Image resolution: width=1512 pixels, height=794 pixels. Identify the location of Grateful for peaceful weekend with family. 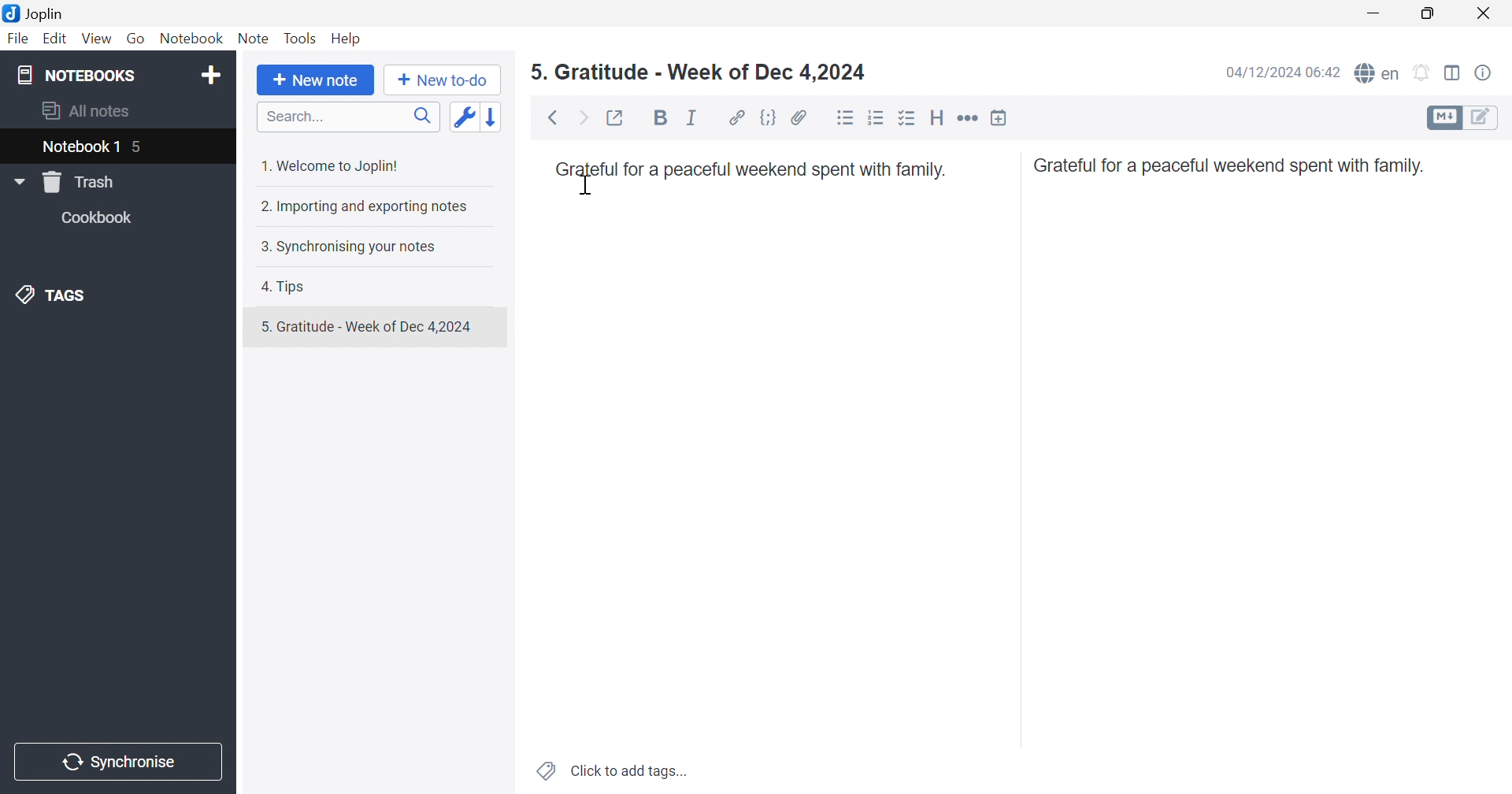
(1234, 167).